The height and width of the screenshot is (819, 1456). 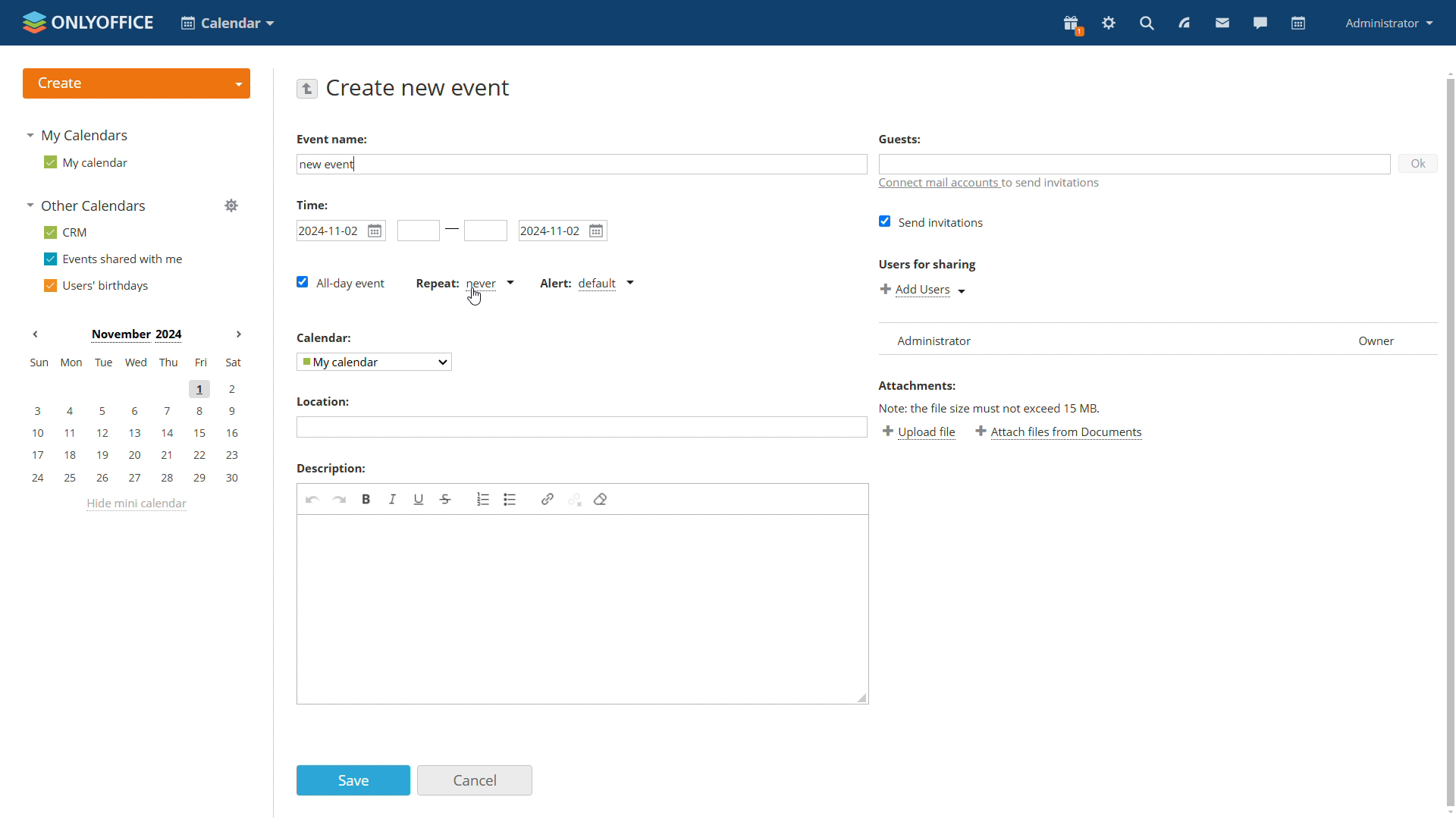 What do you see at coordinates (917, 385) in the screenshot?
I see `Attachments` at bounding box center [917, 385].